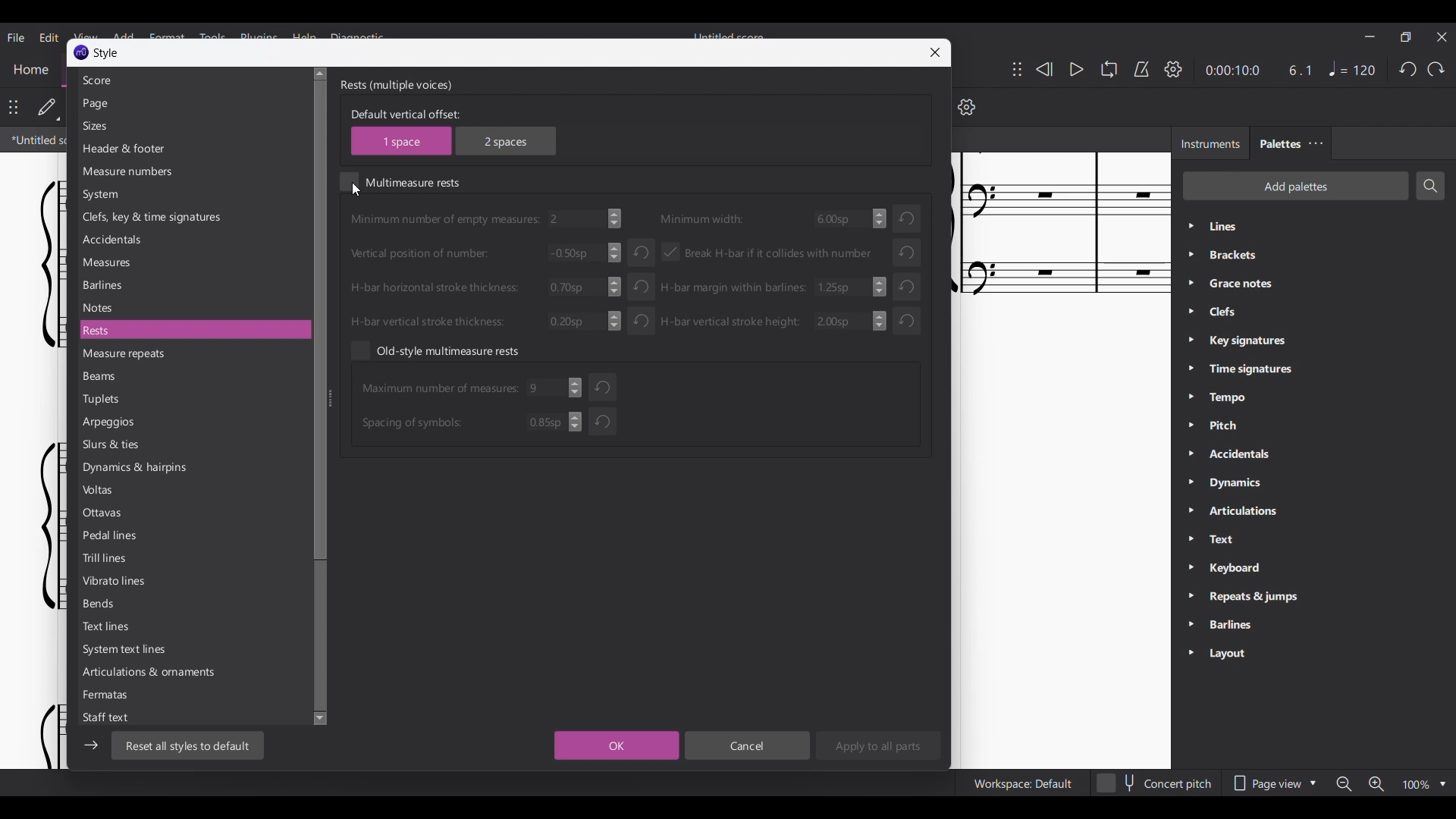 This screenshot has width=1456, height=819. Describe the element at coordinates (81, 52) in the screenshot. I see `Software logo` at that location.